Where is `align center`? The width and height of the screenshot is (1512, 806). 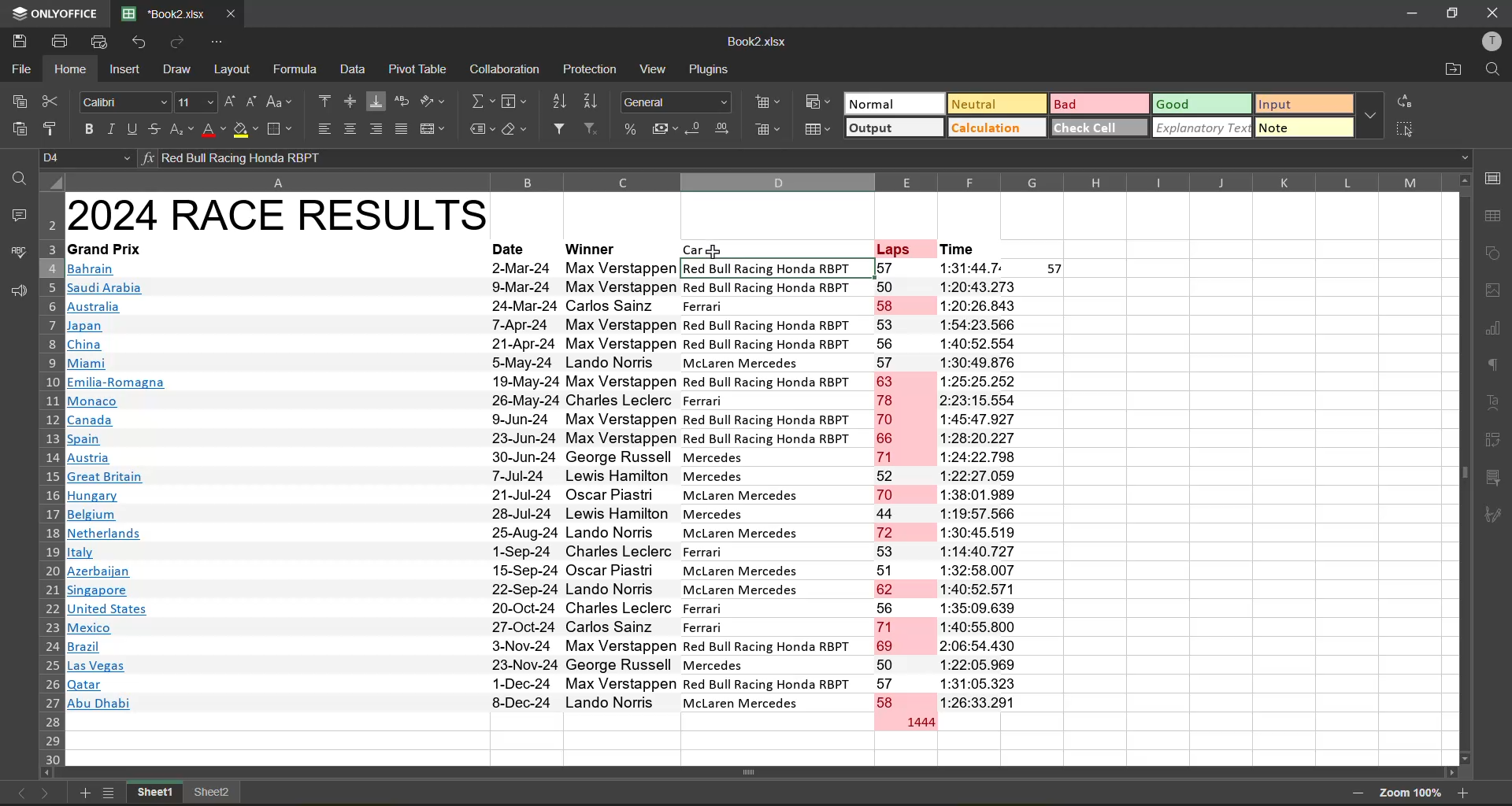 align center is located at coordinates (350, 128).